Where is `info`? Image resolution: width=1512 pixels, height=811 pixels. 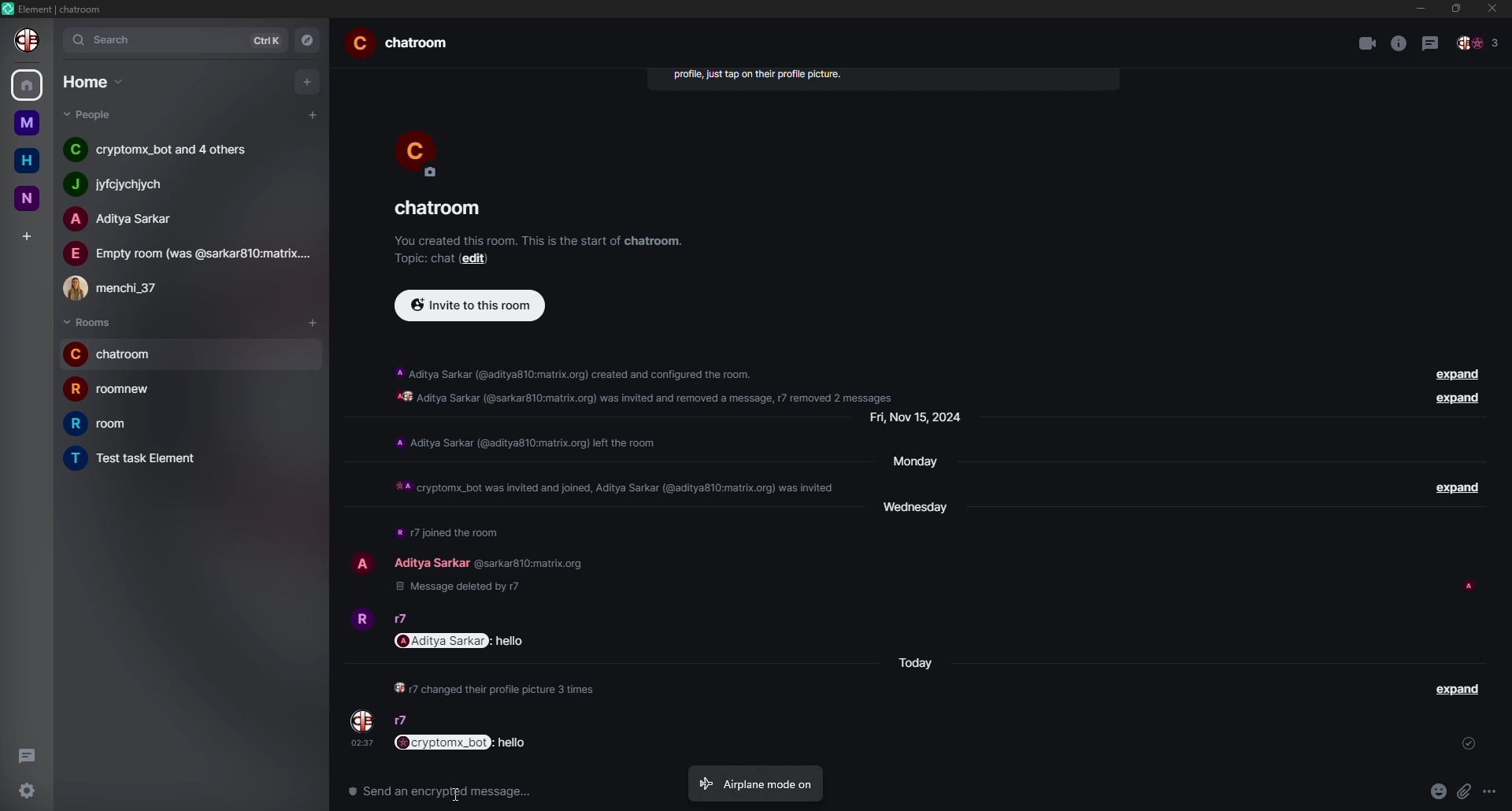
info is located at coordinates (495, 688).